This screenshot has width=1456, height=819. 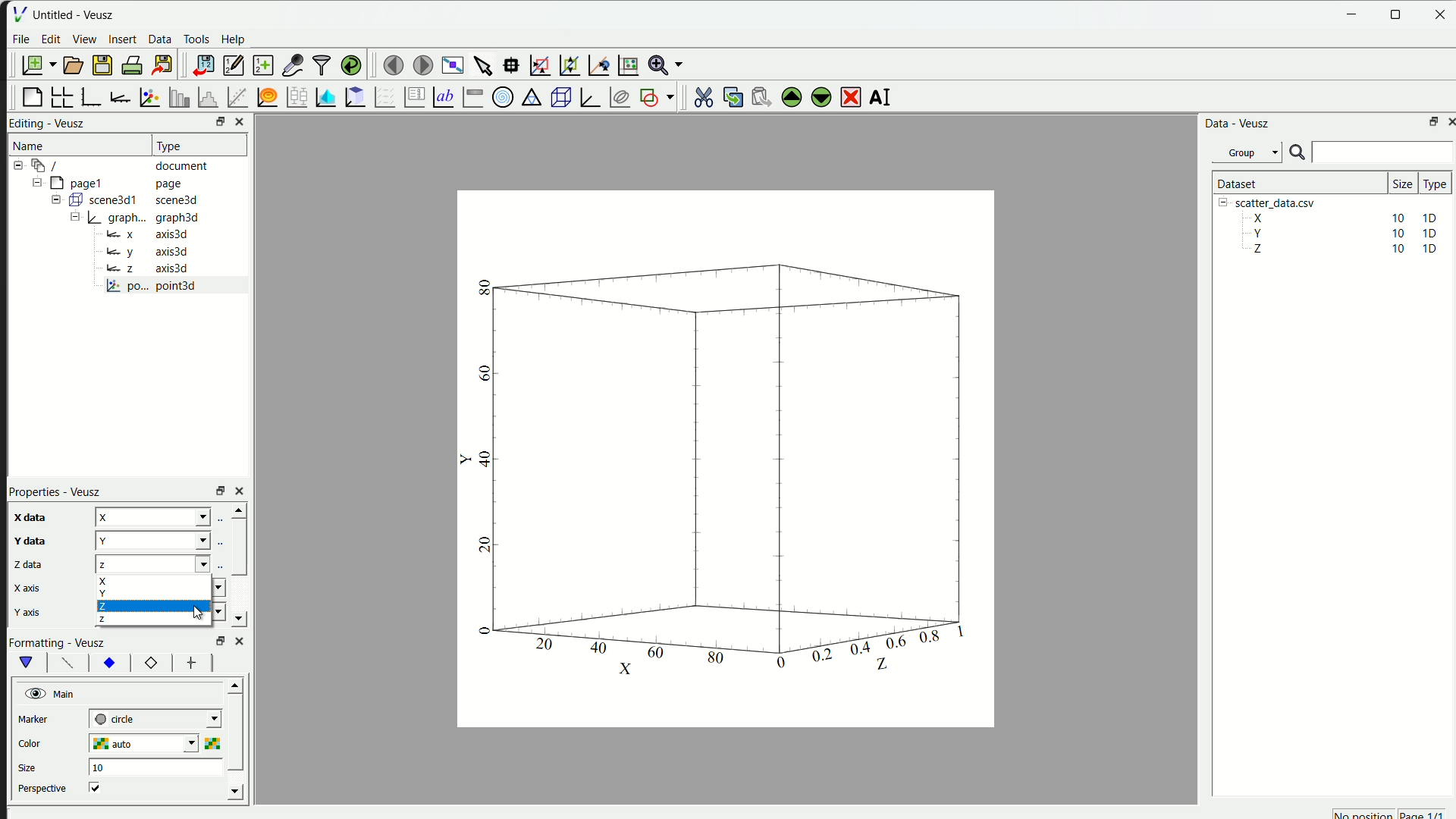 What do you see at coordinates (756, 97) in the screenshot?
I see `paste the widget from the clipboard` at bounding box center [756, 97].